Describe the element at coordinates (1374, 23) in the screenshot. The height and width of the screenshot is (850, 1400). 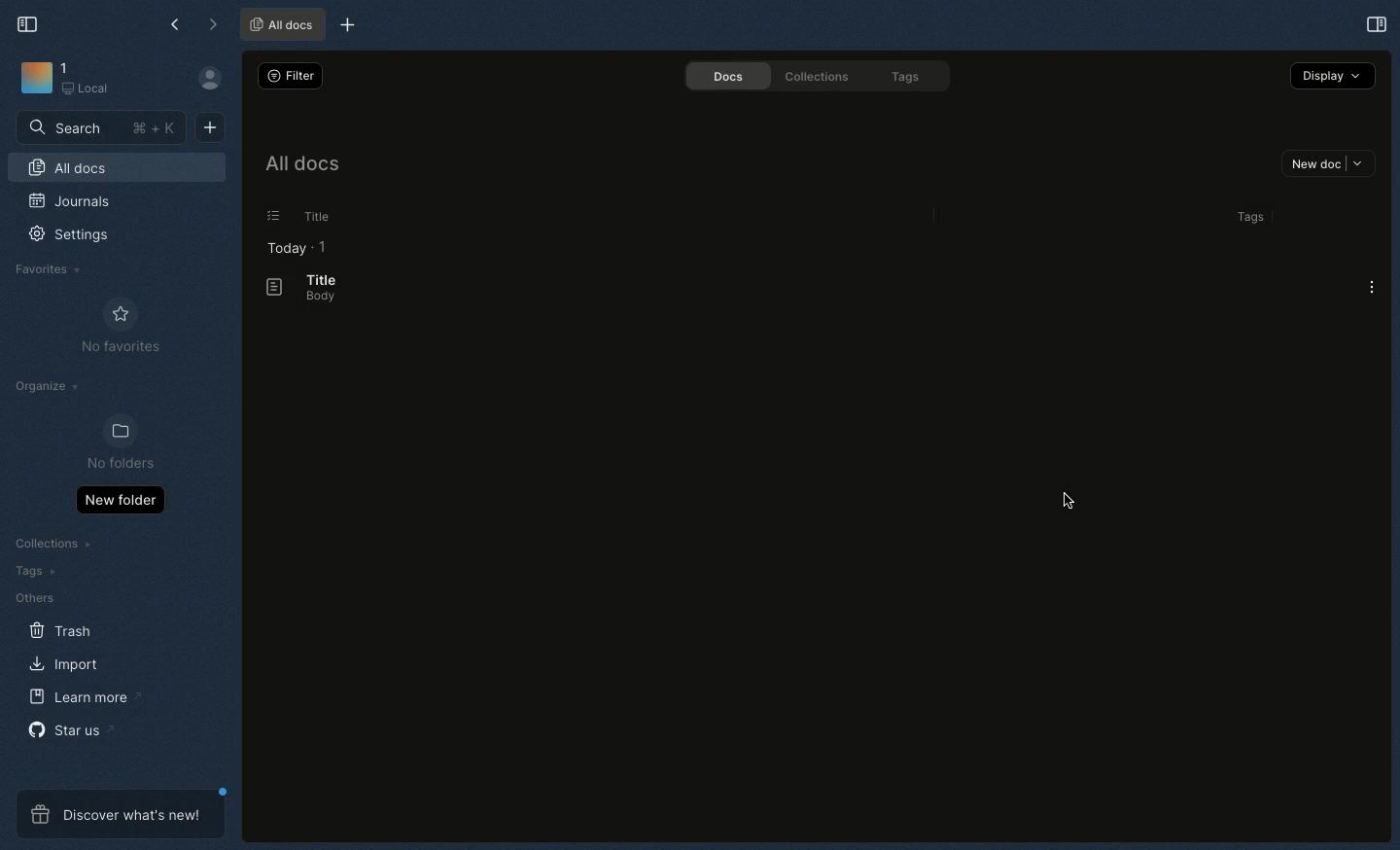
I see `Open right panel` at that location.